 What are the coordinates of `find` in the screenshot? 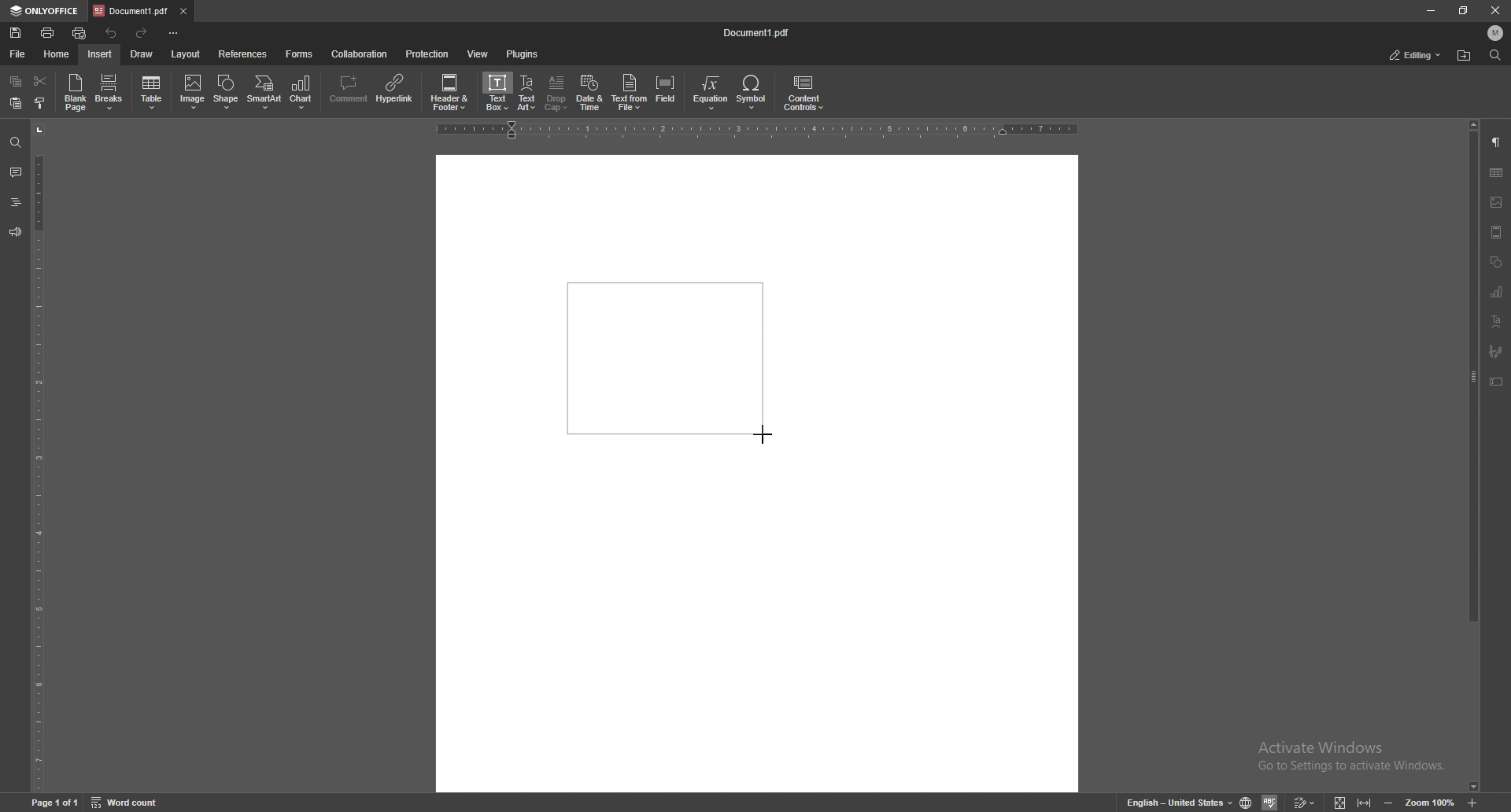 It's located at (1496, 55).